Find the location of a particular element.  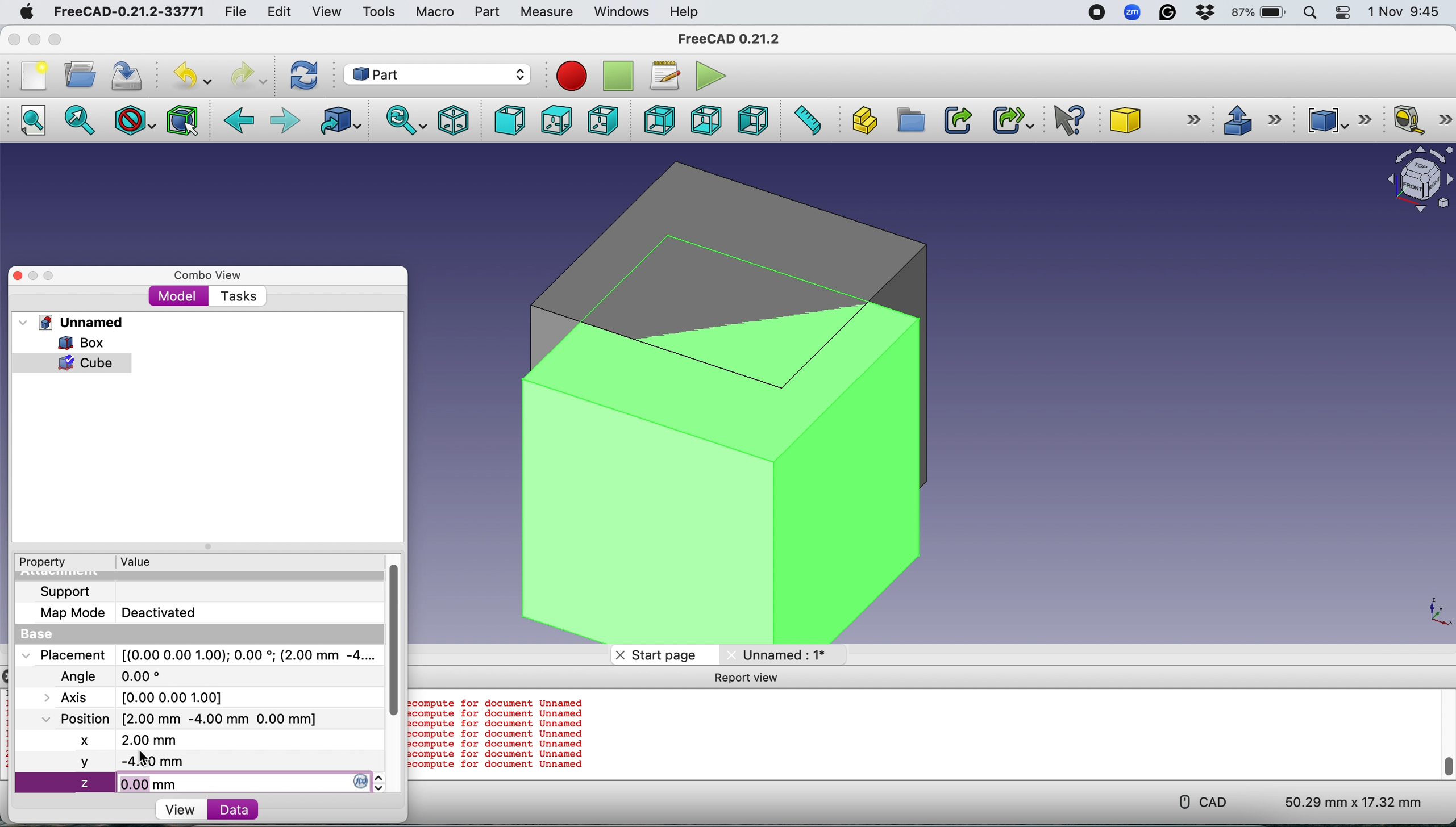

Support is located at coordinates (65, 592).